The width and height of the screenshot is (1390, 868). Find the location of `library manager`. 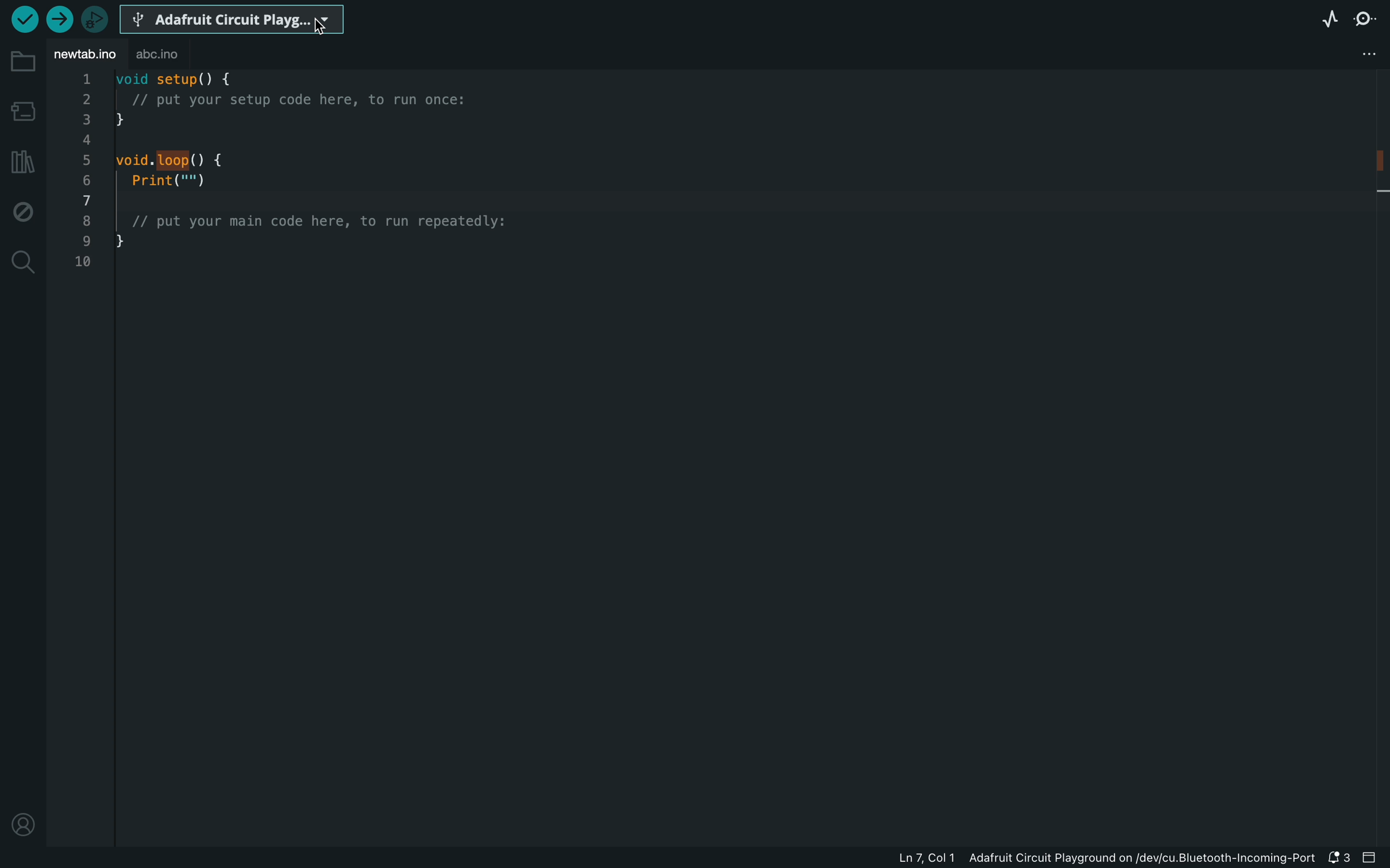

library manager is located at coordinates (23, 160).